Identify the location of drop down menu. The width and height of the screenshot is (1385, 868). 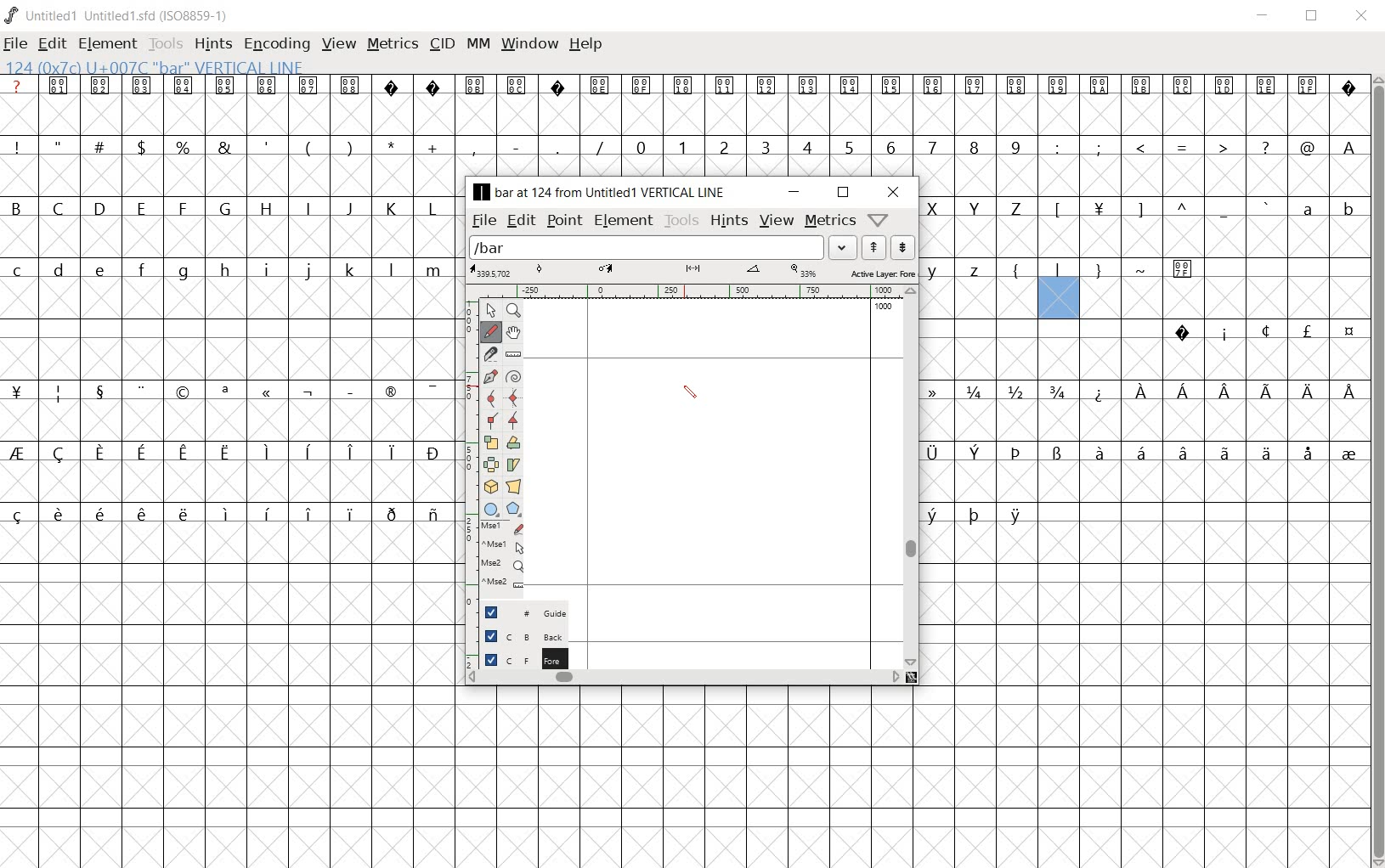
(844, 248).